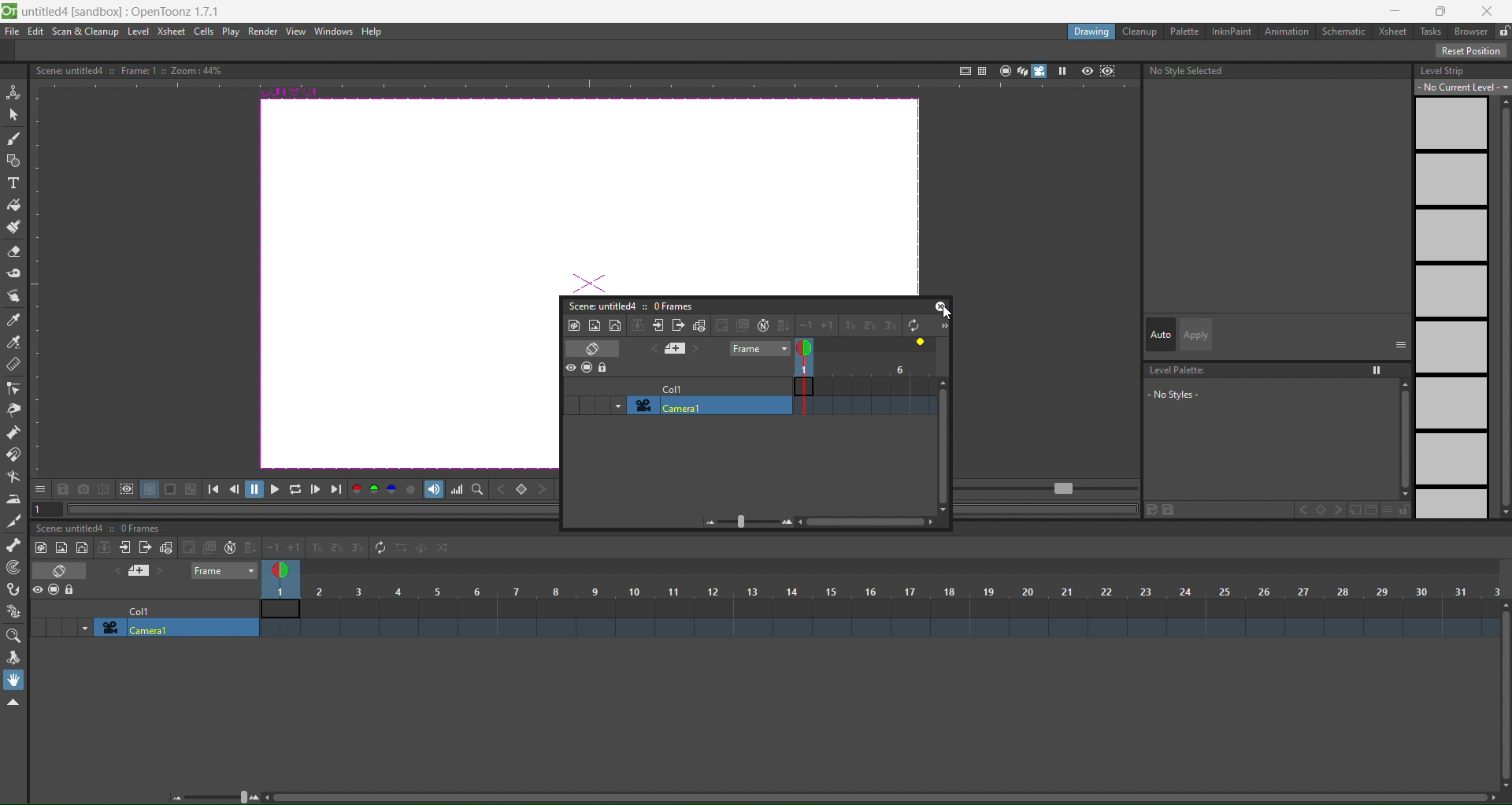  I want to click on icon, so click(117, 490).